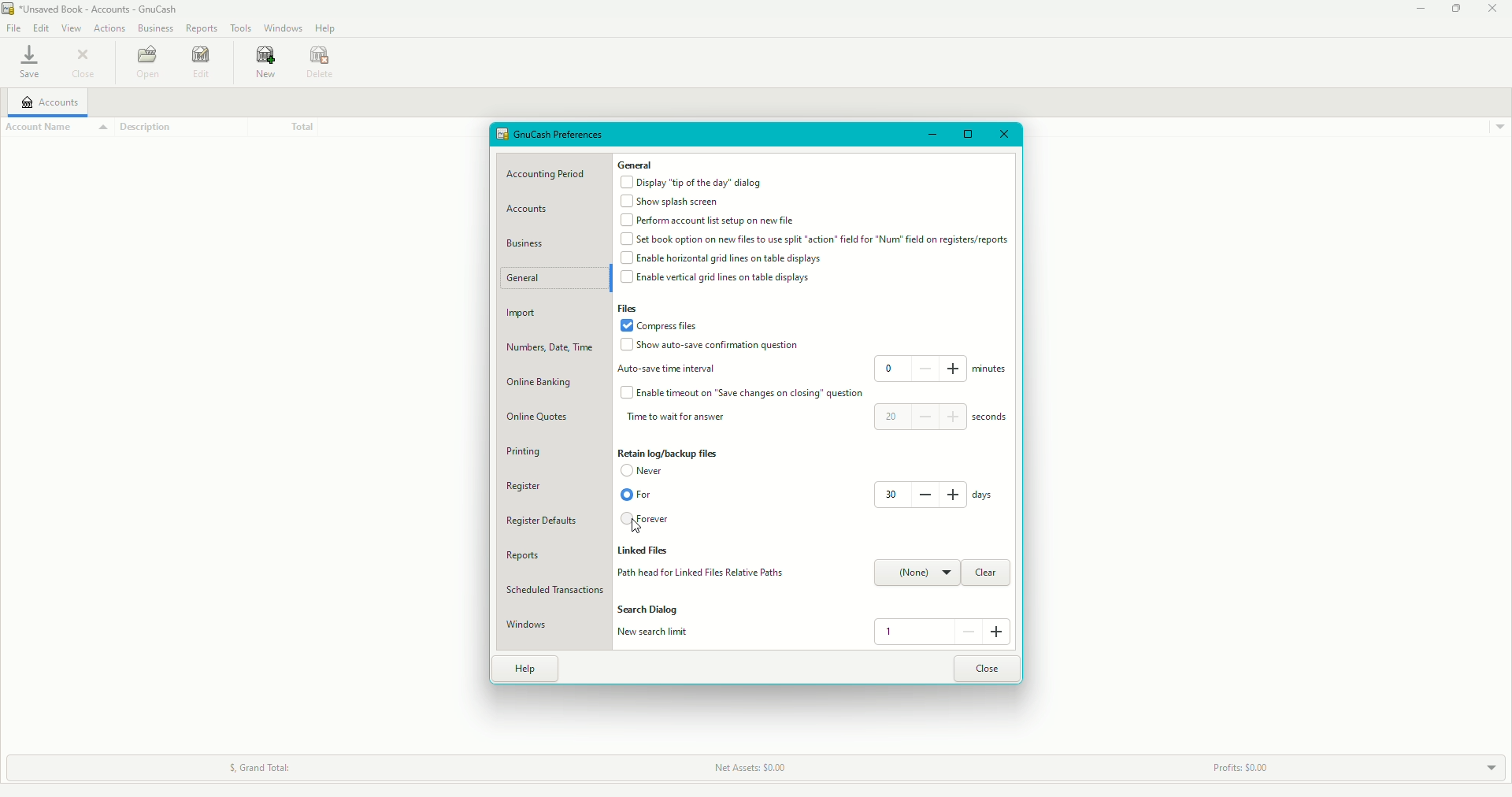 The height and width of the screenshot is (797, 1512). I want to click on Scheduled Transactions, so click(555, 589).